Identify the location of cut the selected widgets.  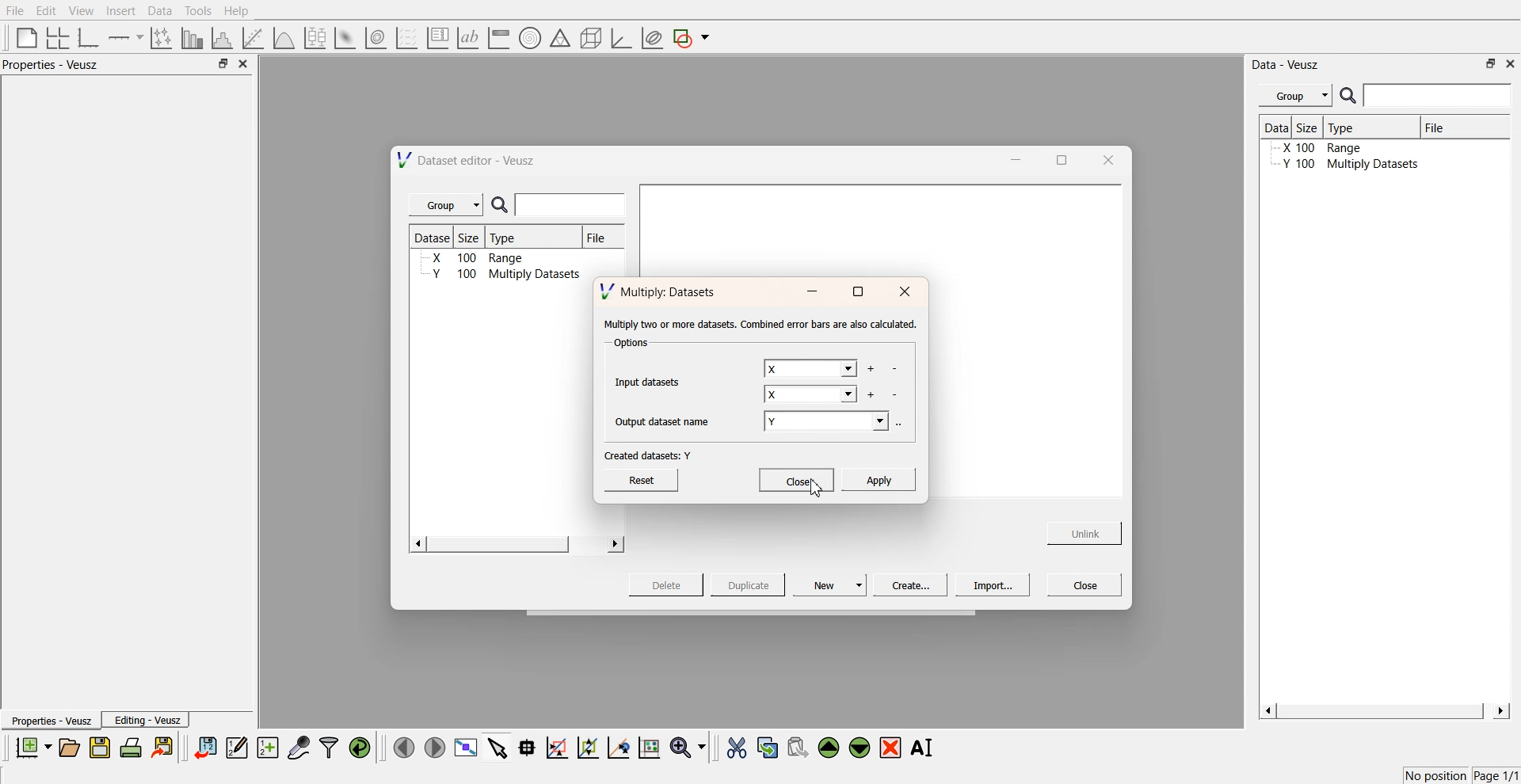
(735, 748).